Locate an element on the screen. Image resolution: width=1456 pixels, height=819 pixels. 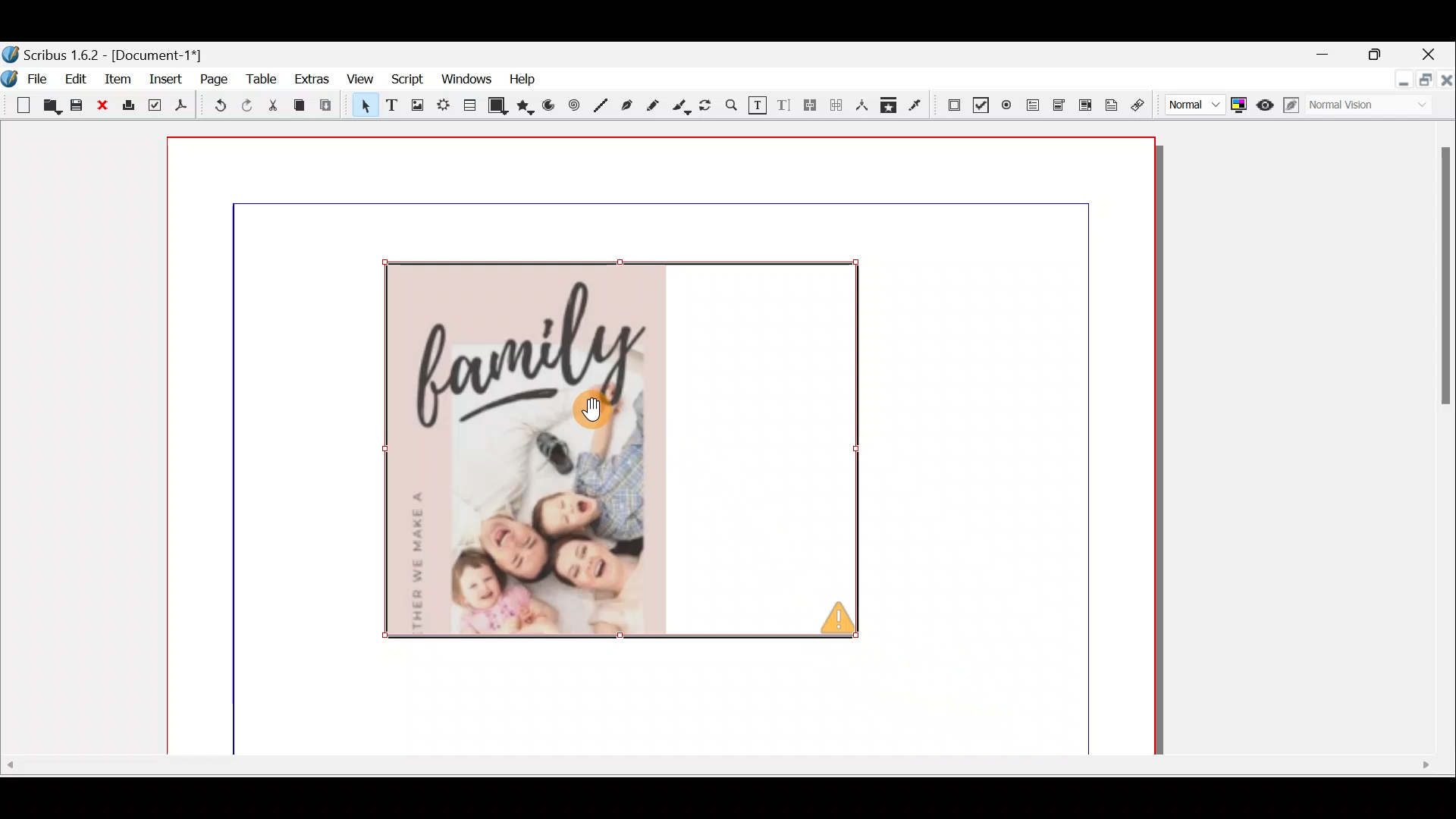
Close is located at coordinates (1446, 81).